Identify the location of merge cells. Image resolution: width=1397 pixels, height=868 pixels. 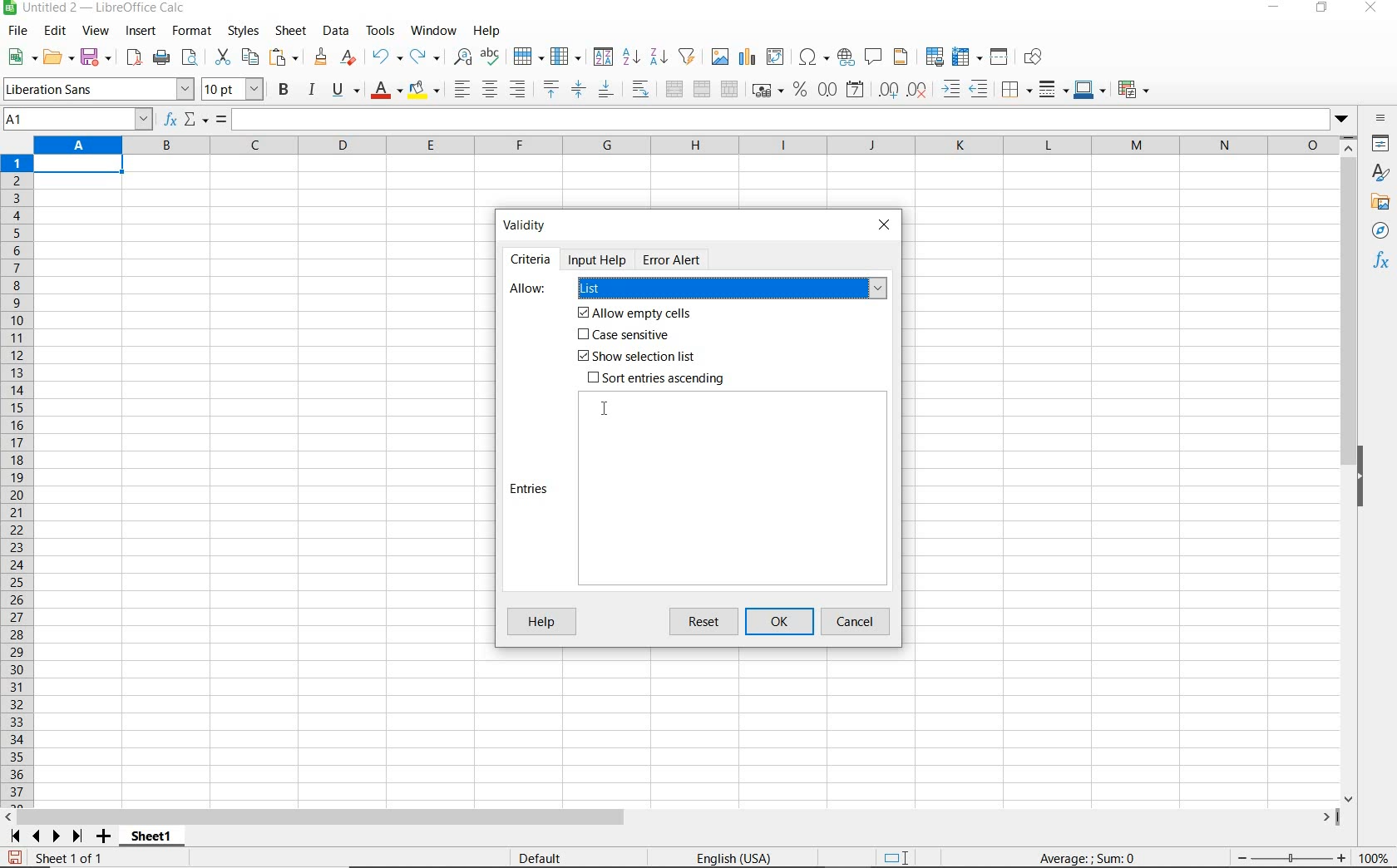
(703, 87).